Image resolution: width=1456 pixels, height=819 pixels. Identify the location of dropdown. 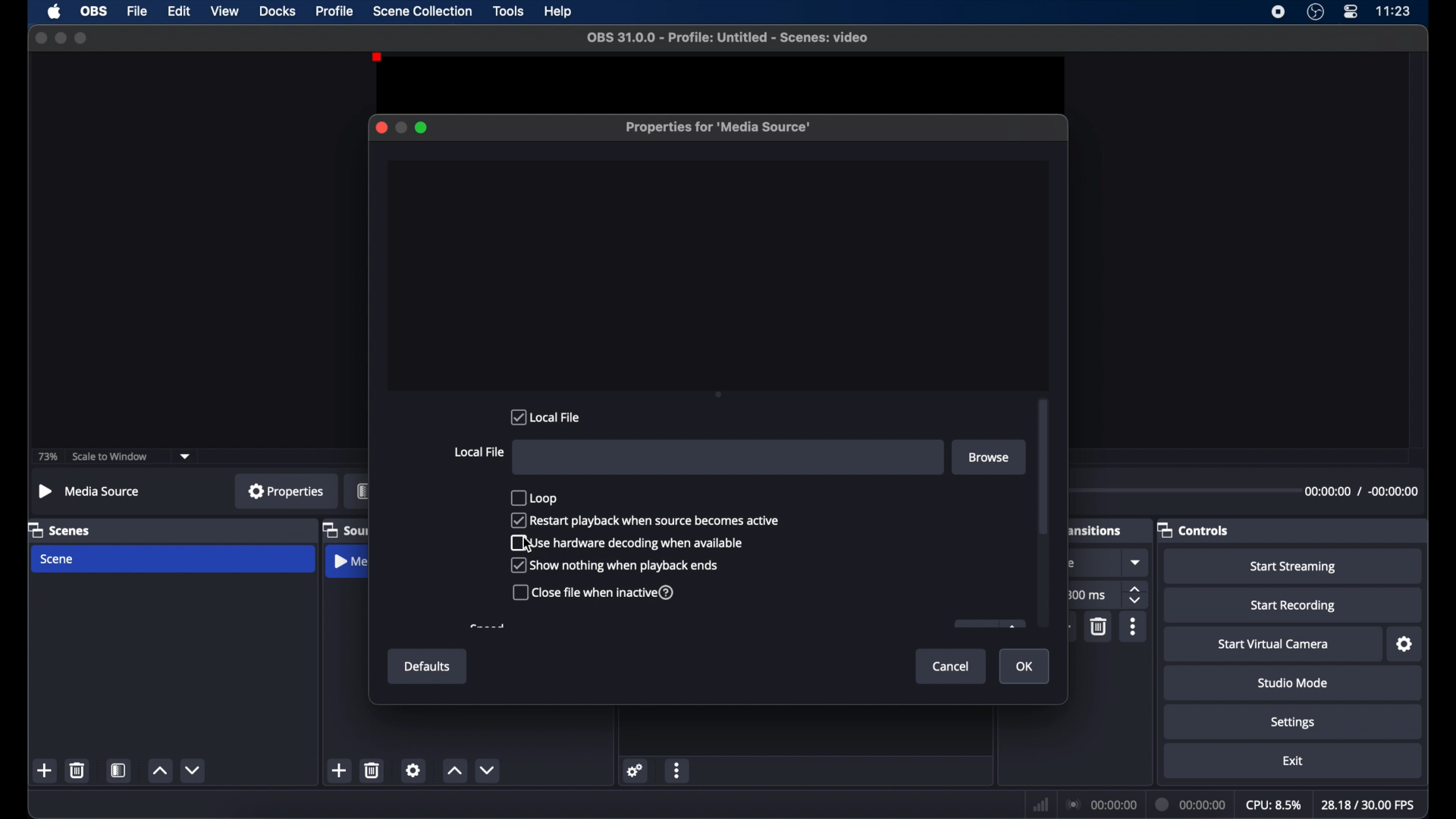
(1137, 562).